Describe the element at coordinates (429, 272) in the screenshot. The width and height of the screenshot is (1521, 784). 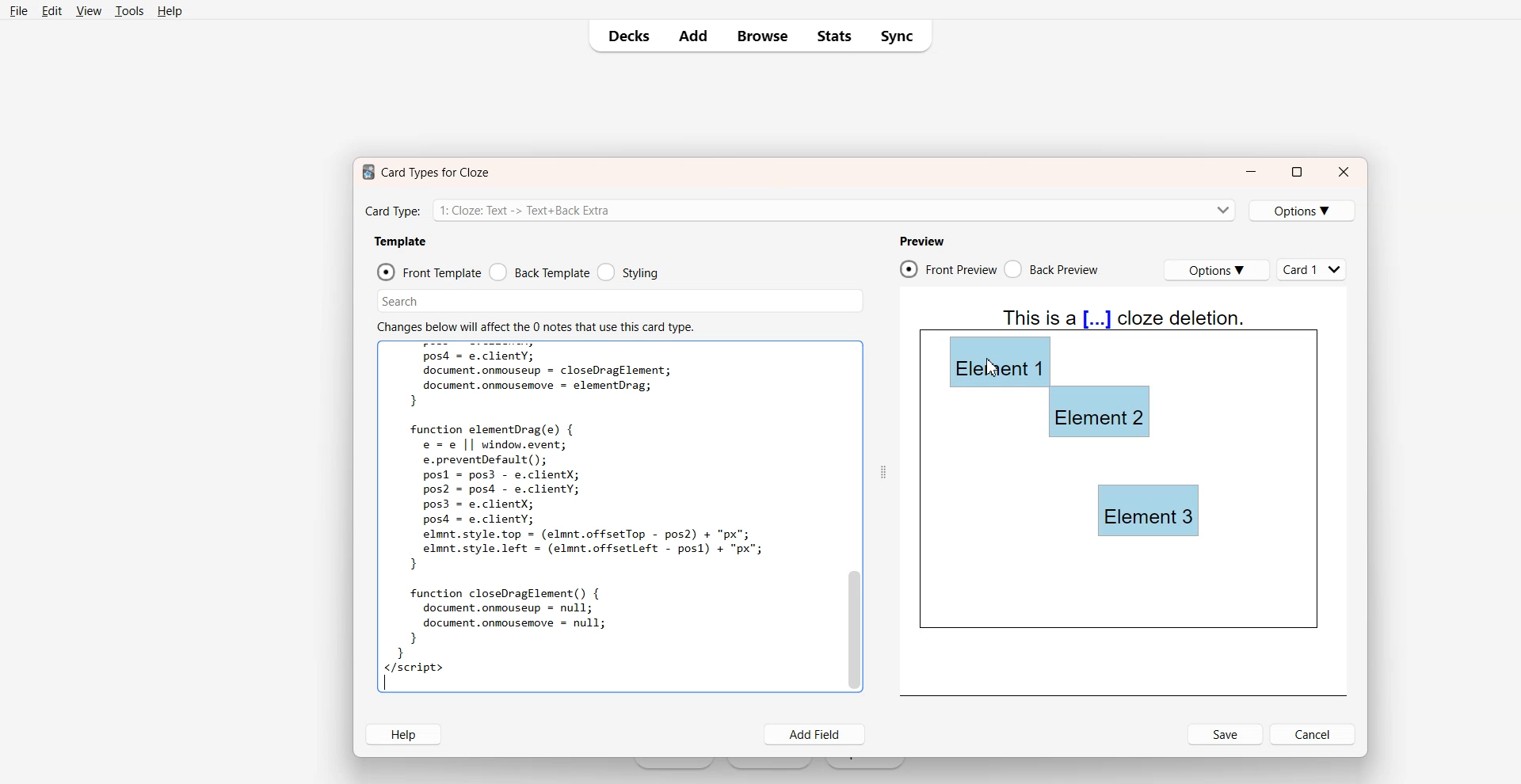
I see `Front Template` at that location.